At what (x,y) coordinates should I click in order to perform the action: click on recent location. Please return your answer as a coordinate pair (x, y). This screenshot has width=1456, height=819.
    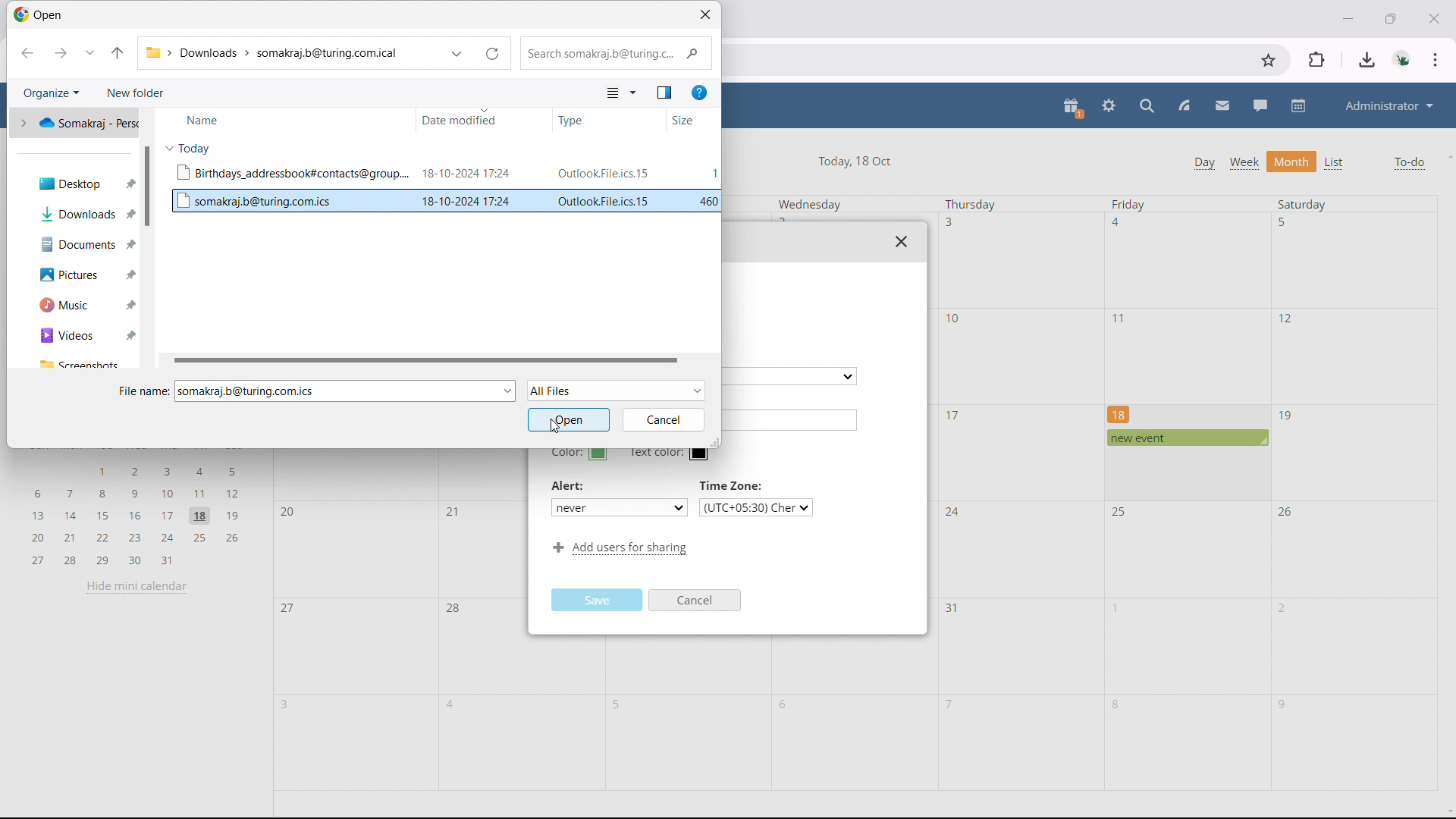
    Looking at the image, I should click on (90, 52).